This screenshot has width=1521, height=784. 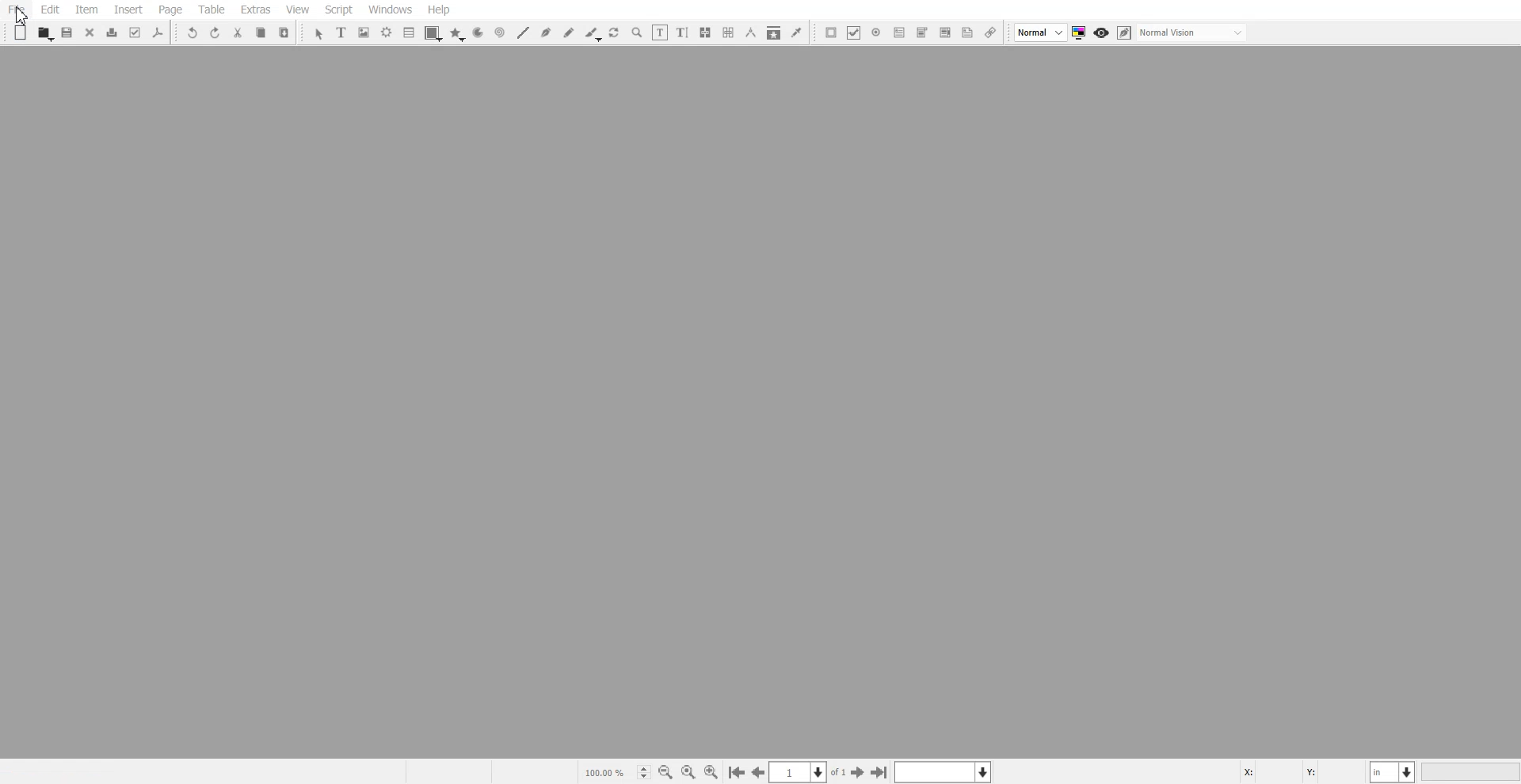 What do you see at coordinates (438, 10) in the screenshot?
I see `Help` at bounding box center [438, 10].